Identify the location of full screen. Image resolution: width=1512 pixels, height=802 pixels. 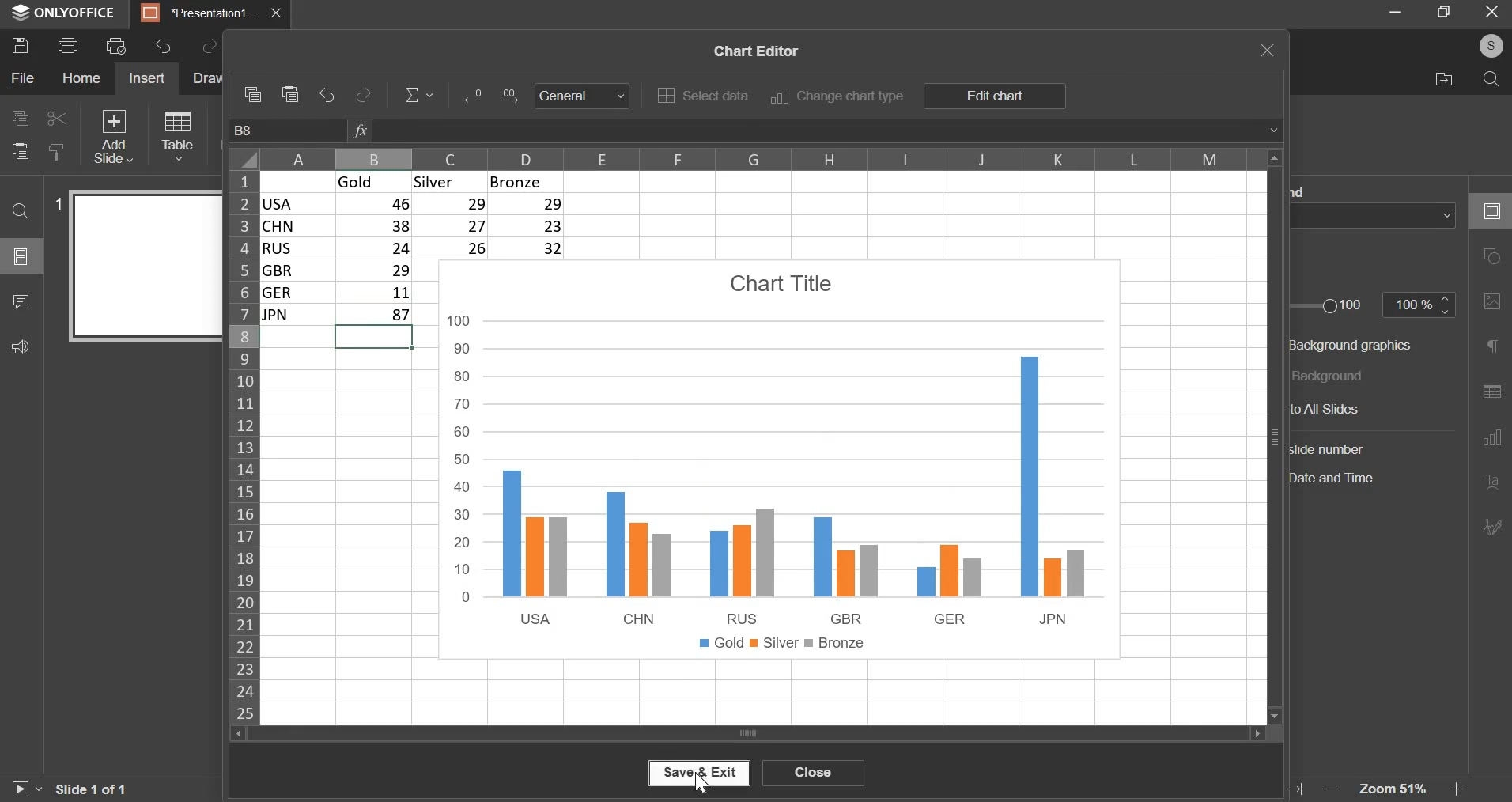
(1443, 11).